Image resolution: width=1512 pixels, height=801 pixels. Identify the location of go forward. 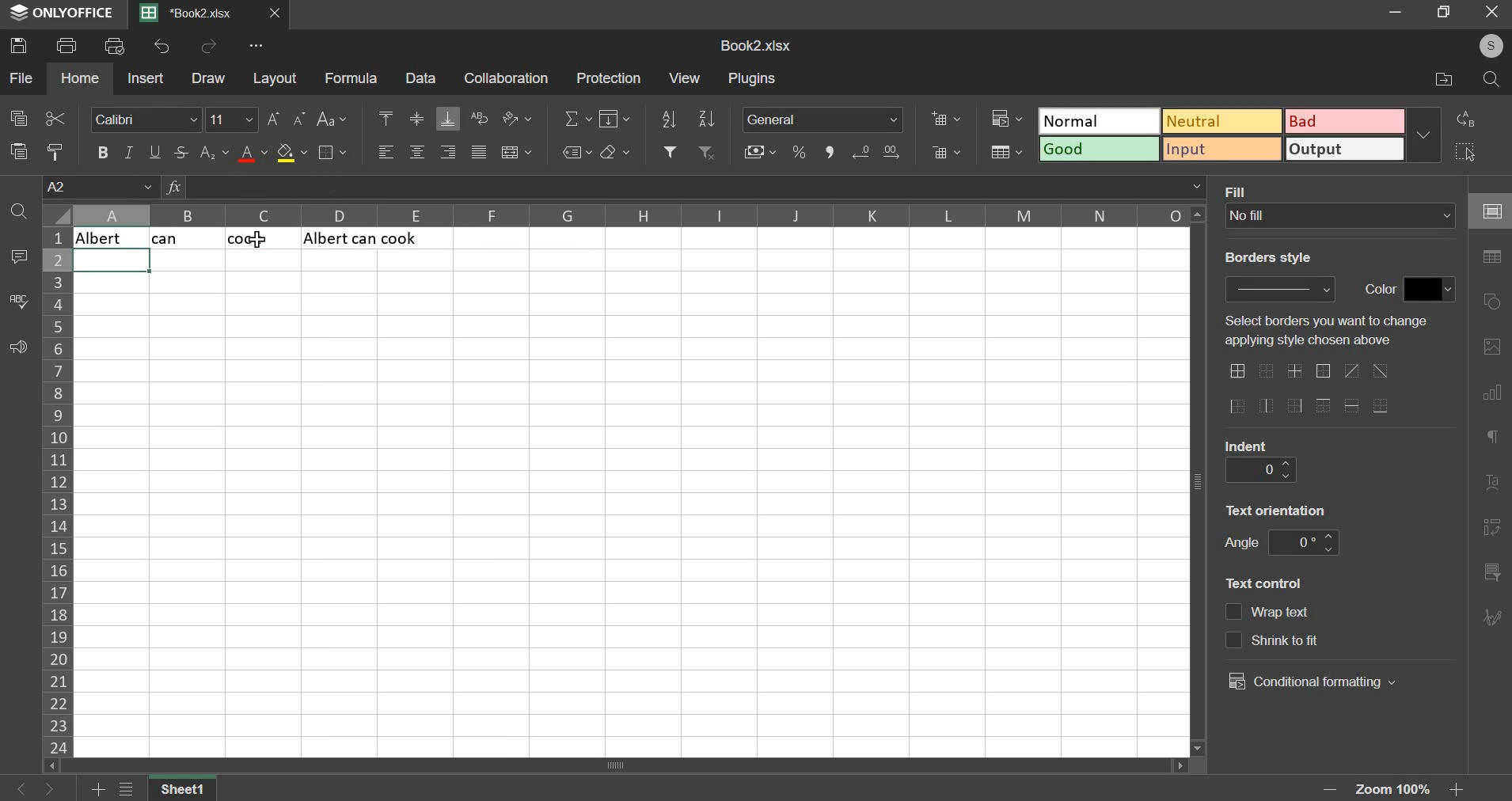
(61, 789).